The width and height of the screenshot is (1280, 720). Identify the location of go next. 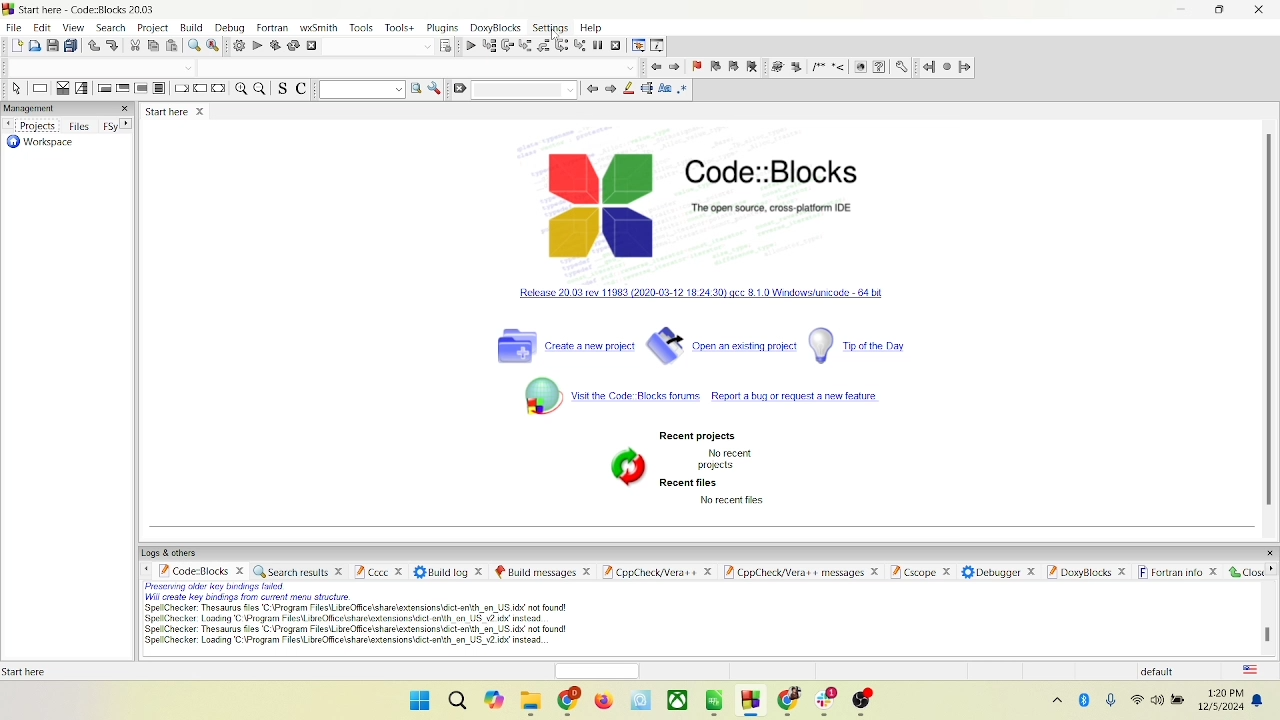
(674, 66).